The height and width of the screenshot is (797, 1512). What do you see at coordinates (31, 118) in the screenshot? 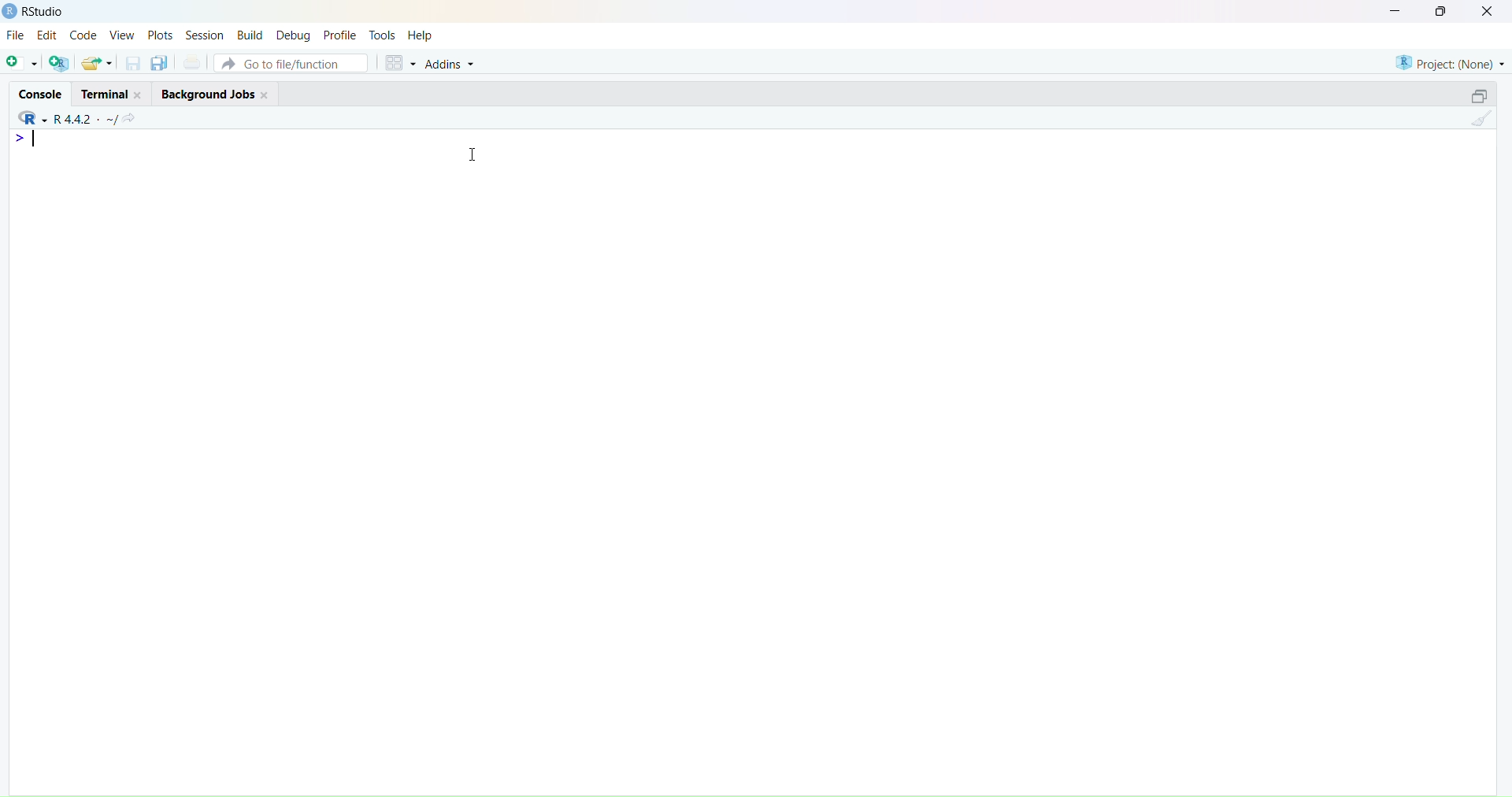
I see `R` at bounding box center [31, 118].